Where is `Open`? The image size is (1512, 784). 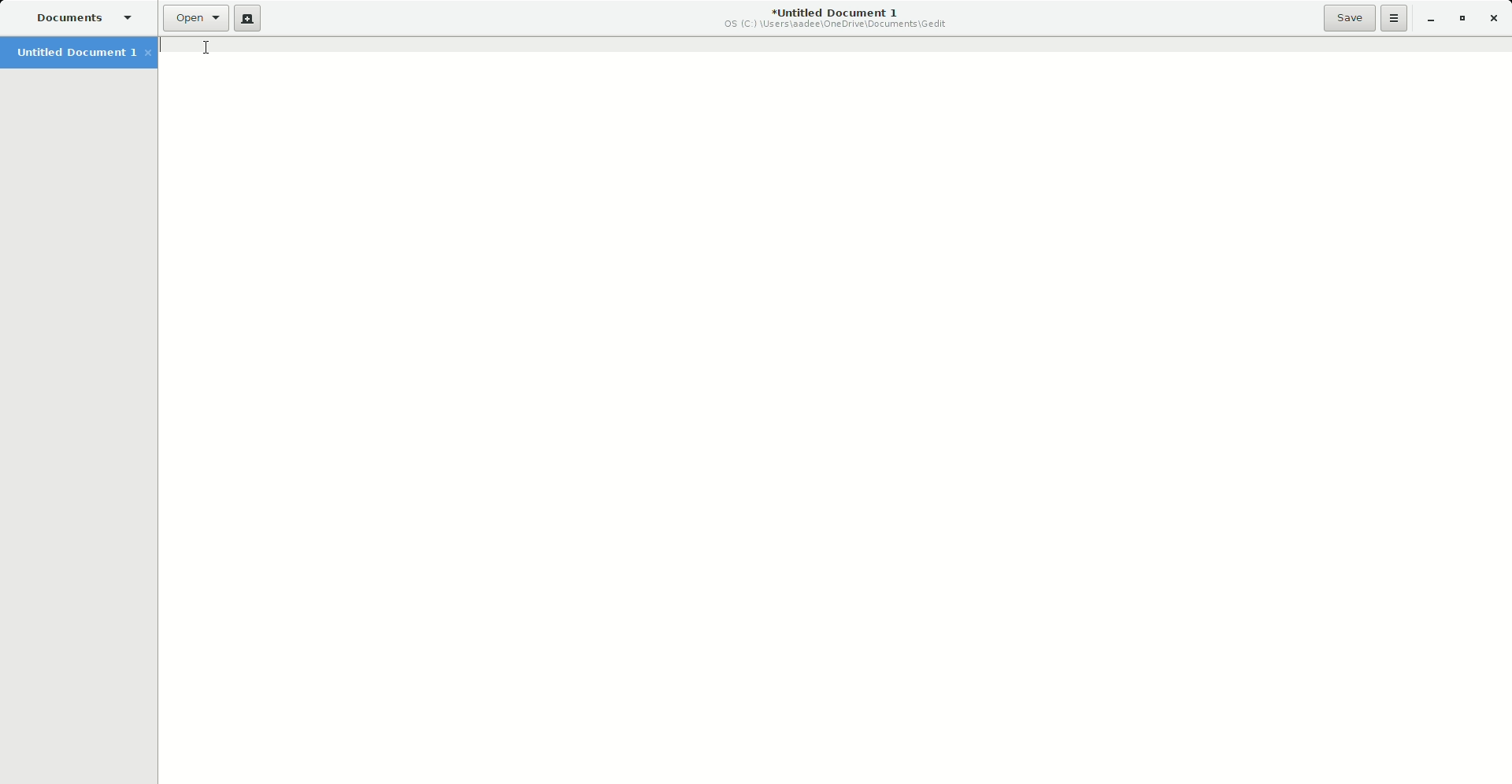 Open is located at coordinates (192, 19).